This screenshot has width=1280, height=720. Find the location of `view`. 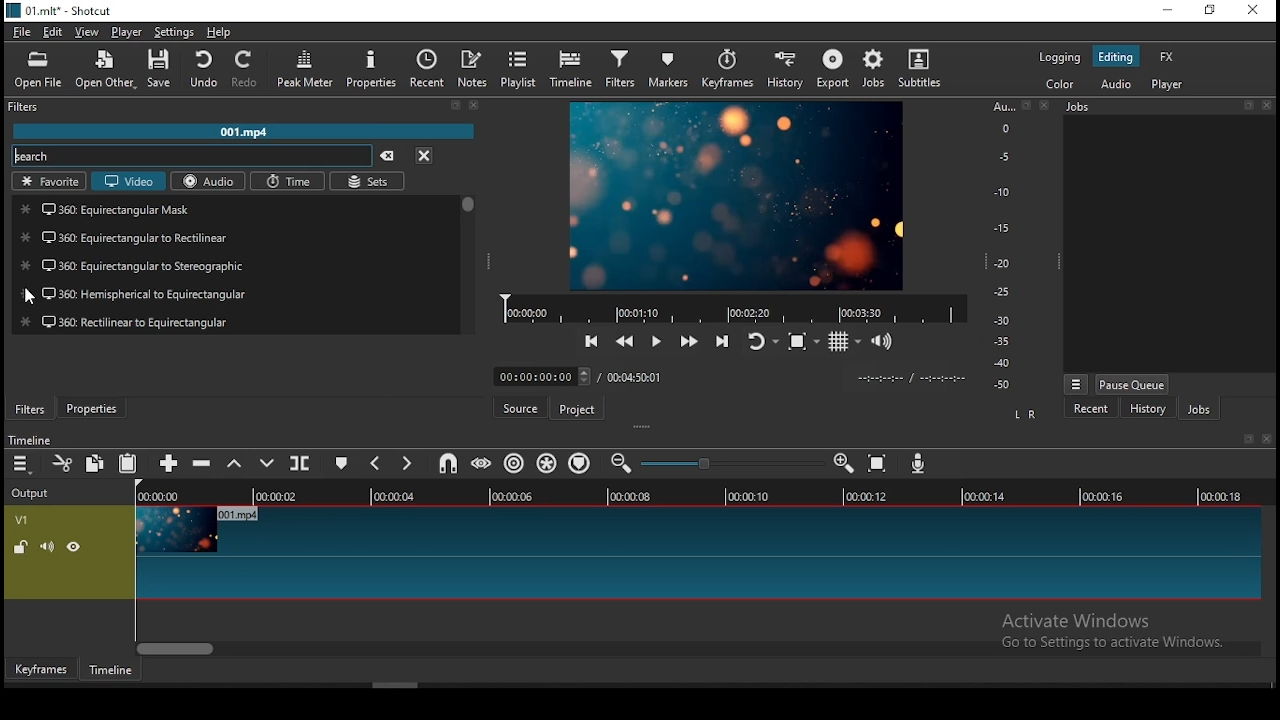

view is located at coordinates (88, 33).